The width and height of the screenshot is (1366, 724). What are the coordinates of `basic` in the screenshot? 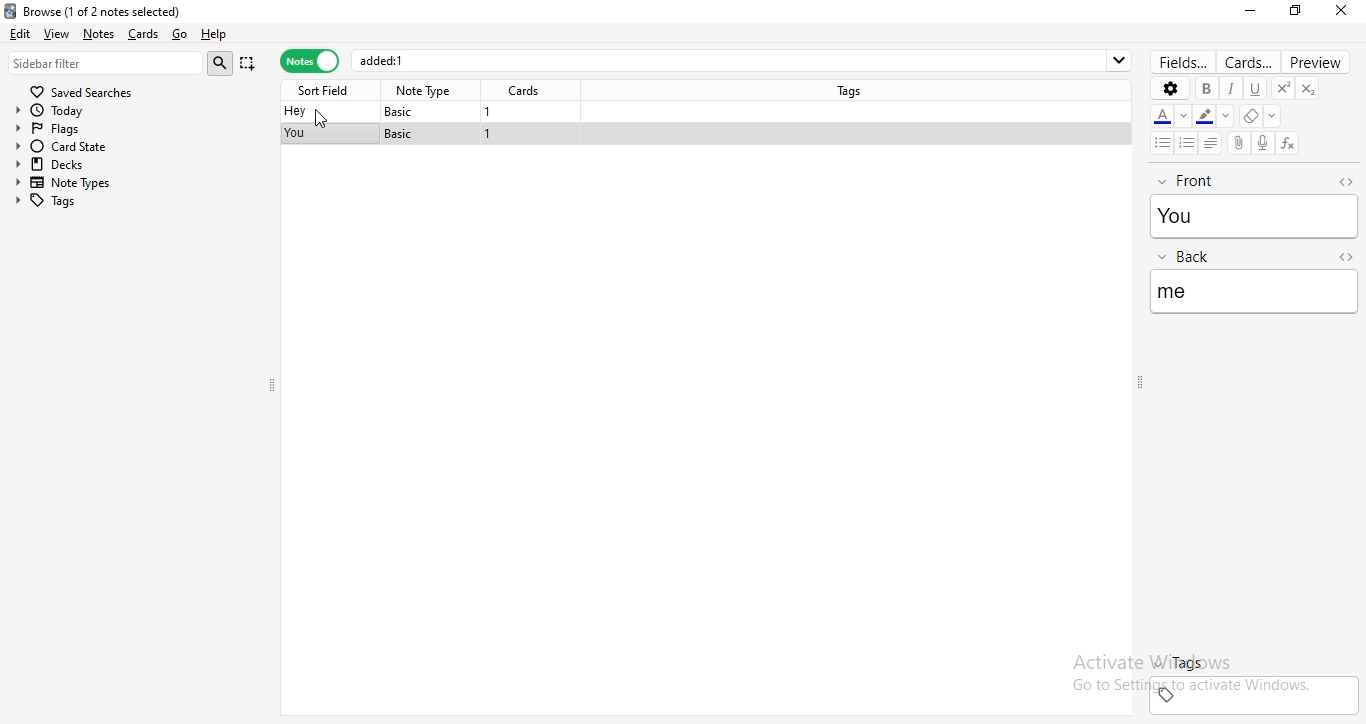 It's located at (405, 111).